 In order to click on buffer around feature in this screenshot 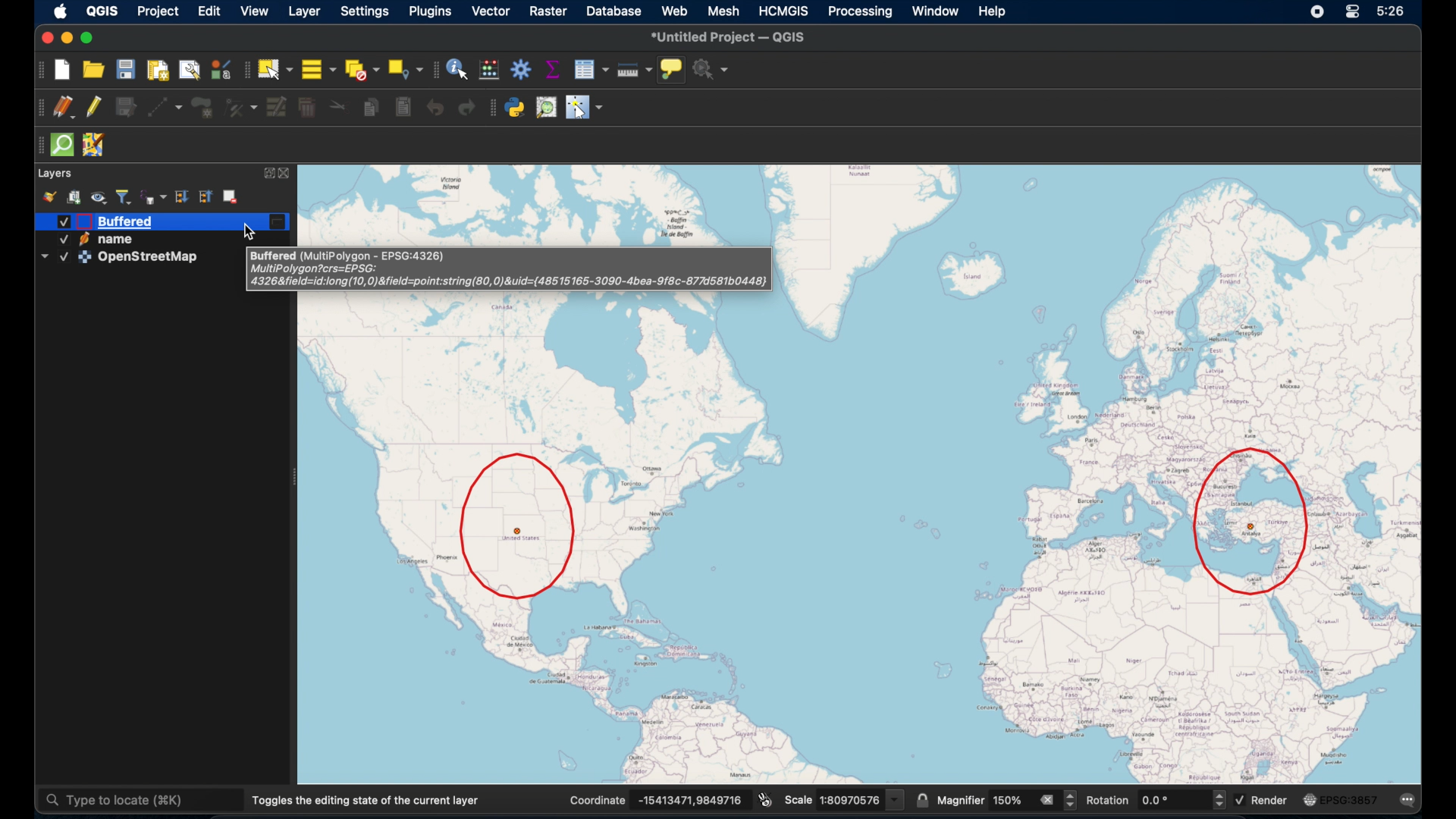, I will do `click(519, 526)`.